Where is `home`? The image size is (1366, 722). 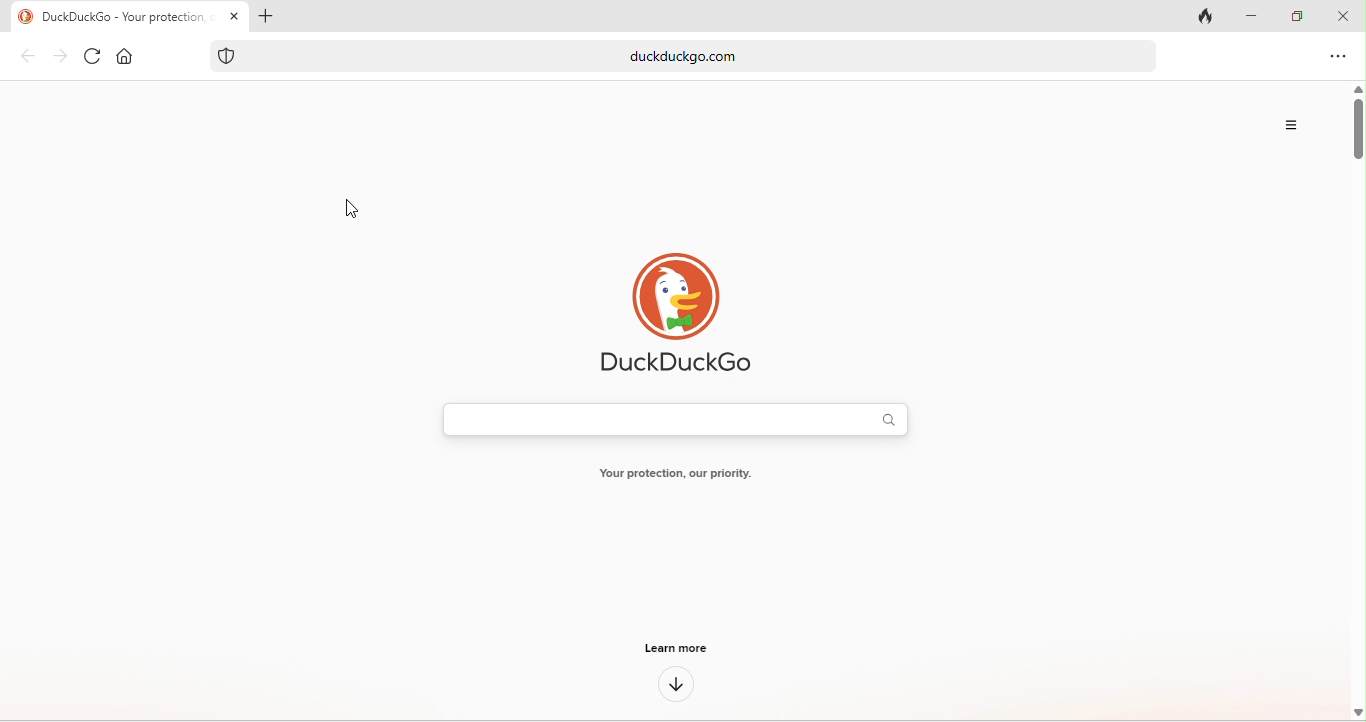
home is located at coordinates (125, 52).